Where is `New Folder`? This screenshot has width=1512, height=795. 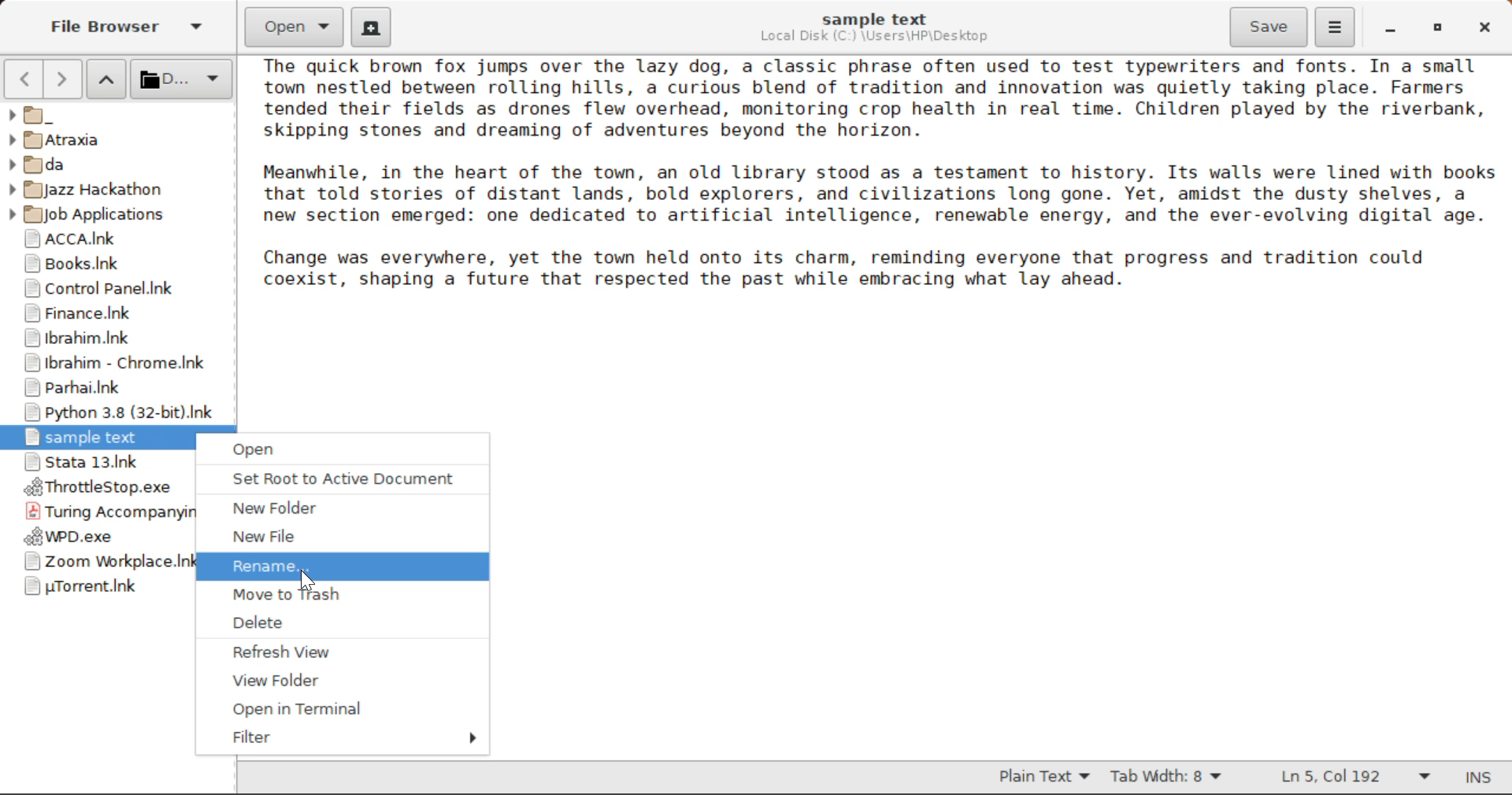
New Folder is located at coordinates (343, 509).